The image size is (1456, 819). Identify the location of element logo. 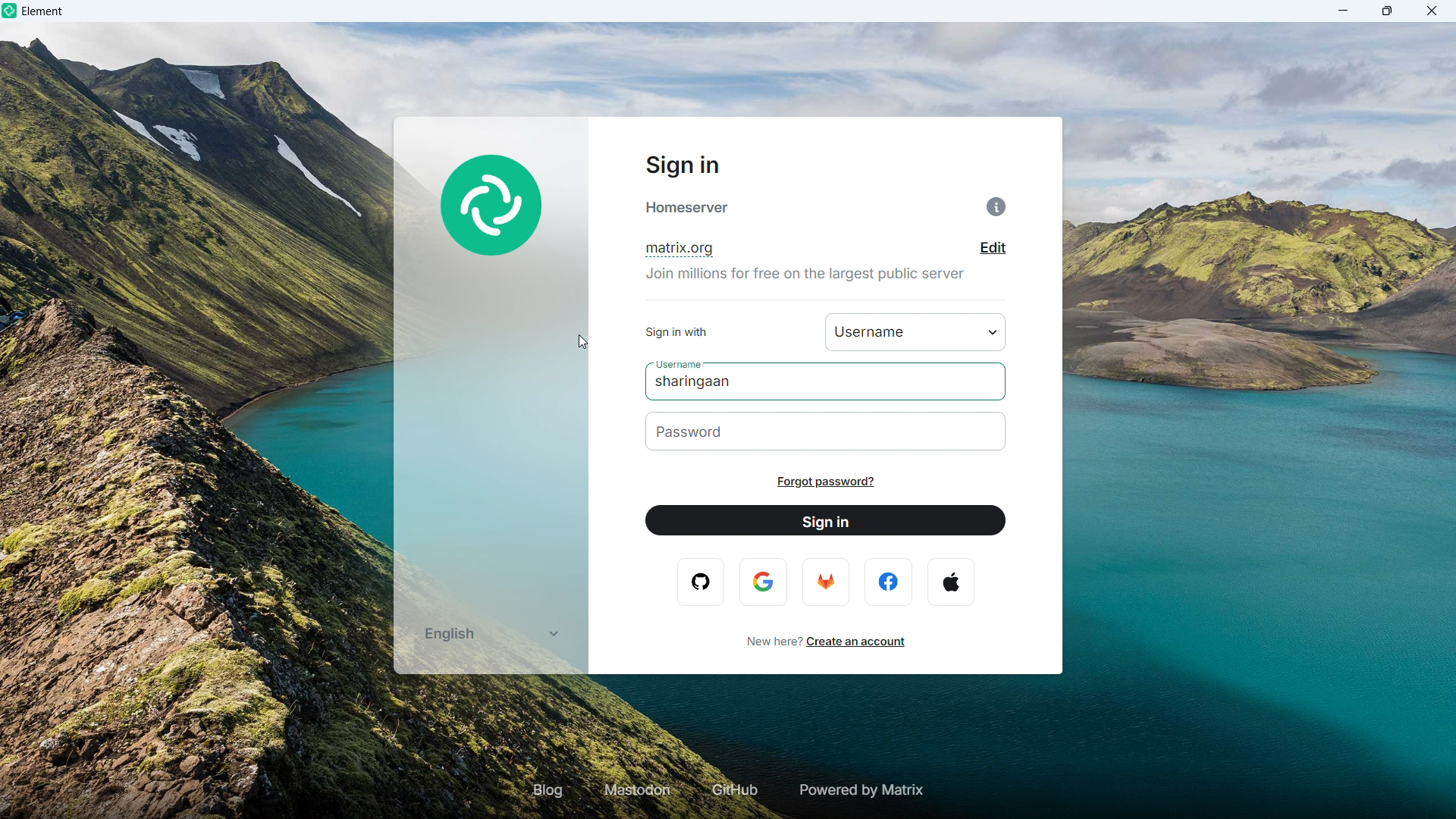
(11, 11).